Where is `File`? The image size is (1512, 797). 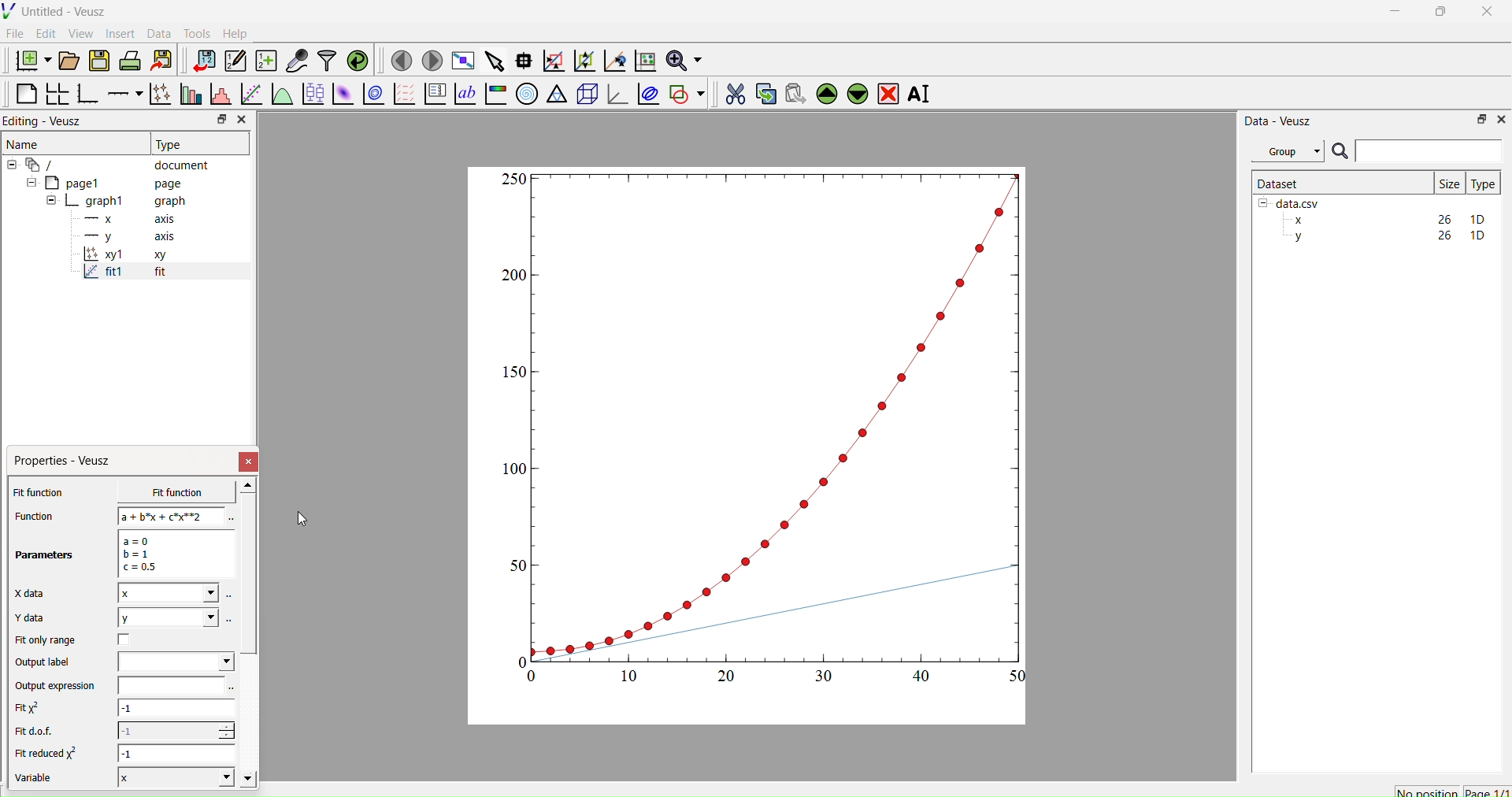
File is located at coordinates (15, 33).